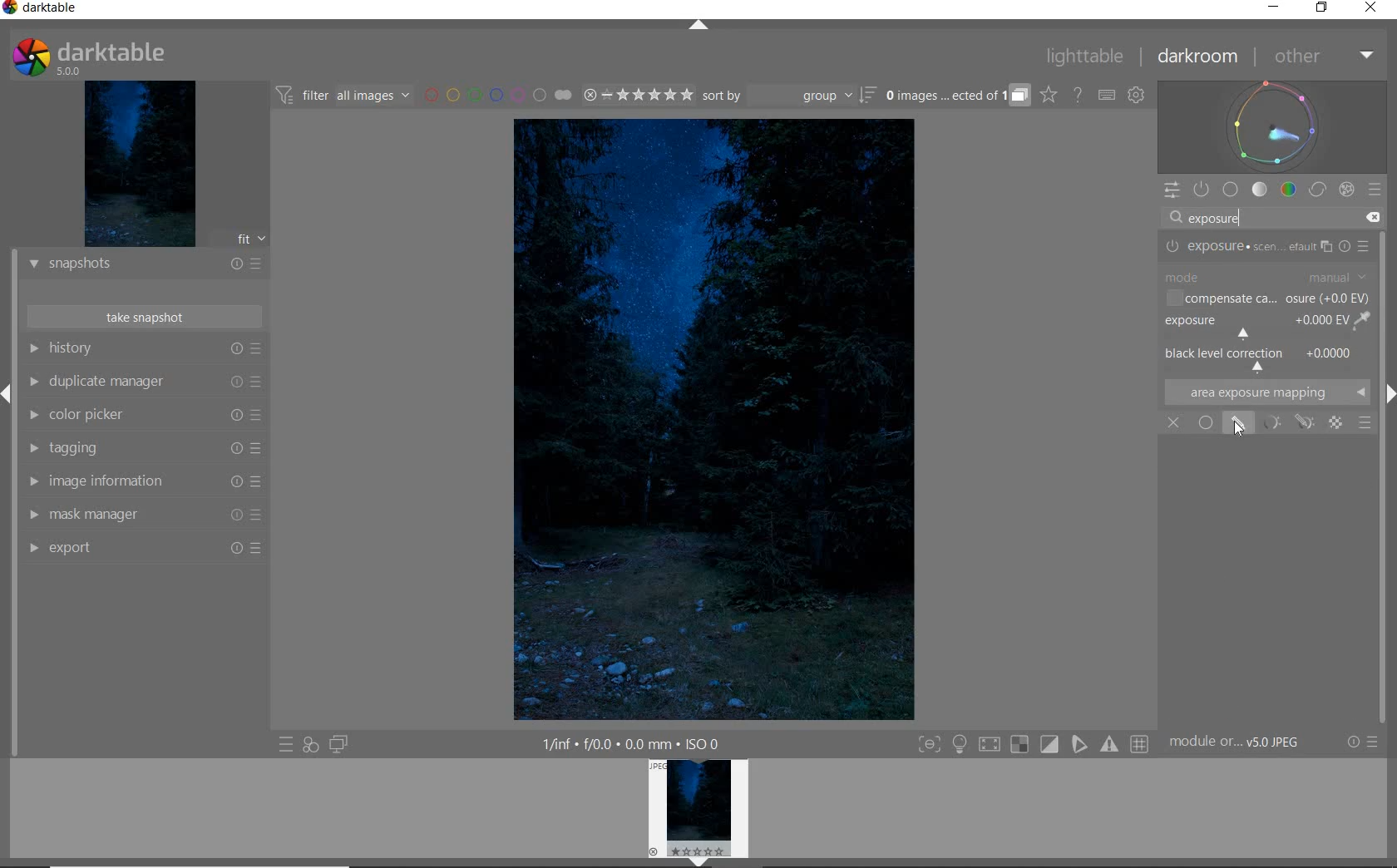 The image size is (1397, 868). Describe the element at coordinates (91, 55) in the screenshot. I see `SYSTEM LOGO` at that location.